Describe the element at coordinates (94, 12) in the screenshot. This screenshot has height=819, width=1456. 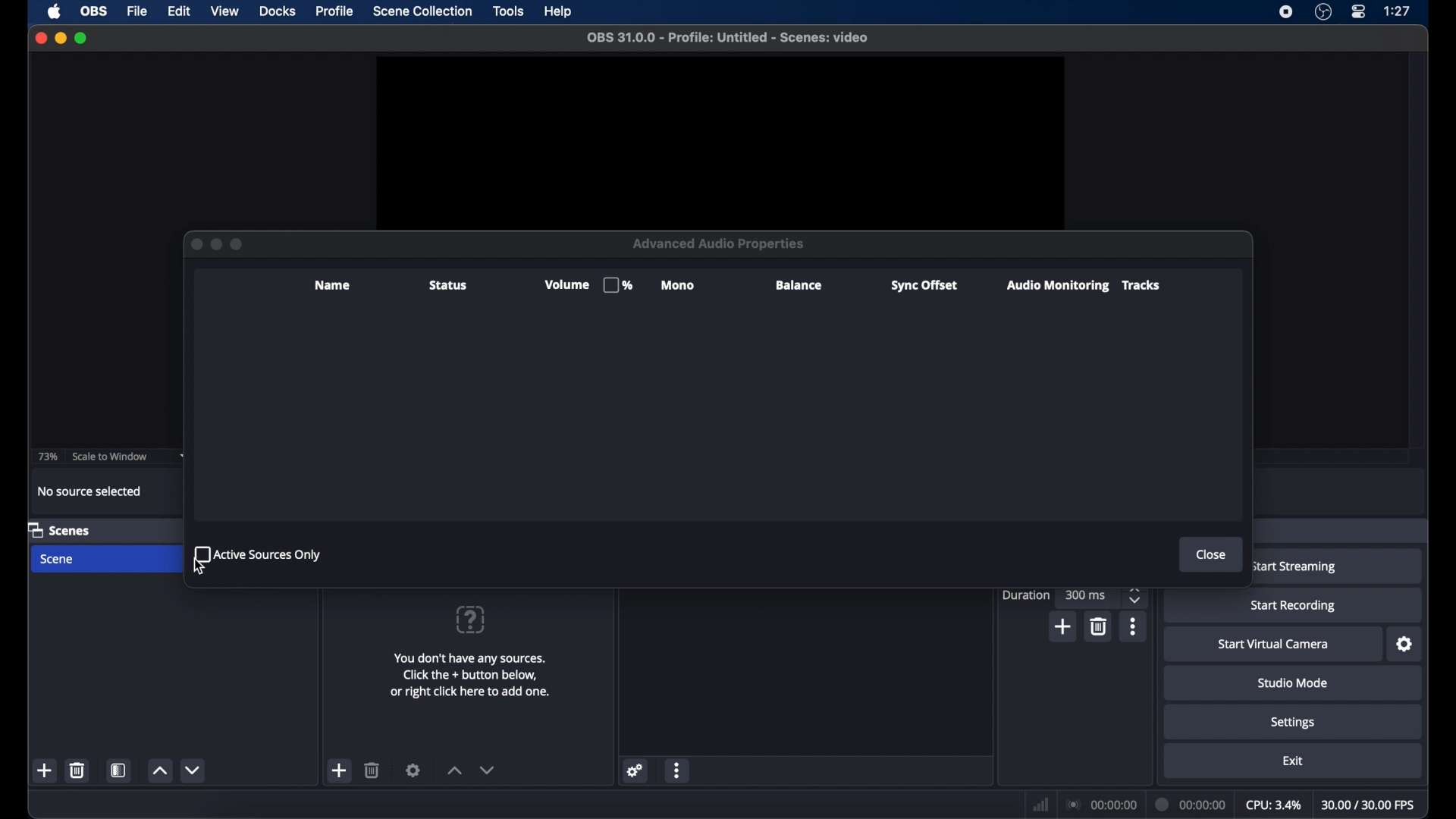
I see `obs` at that location.